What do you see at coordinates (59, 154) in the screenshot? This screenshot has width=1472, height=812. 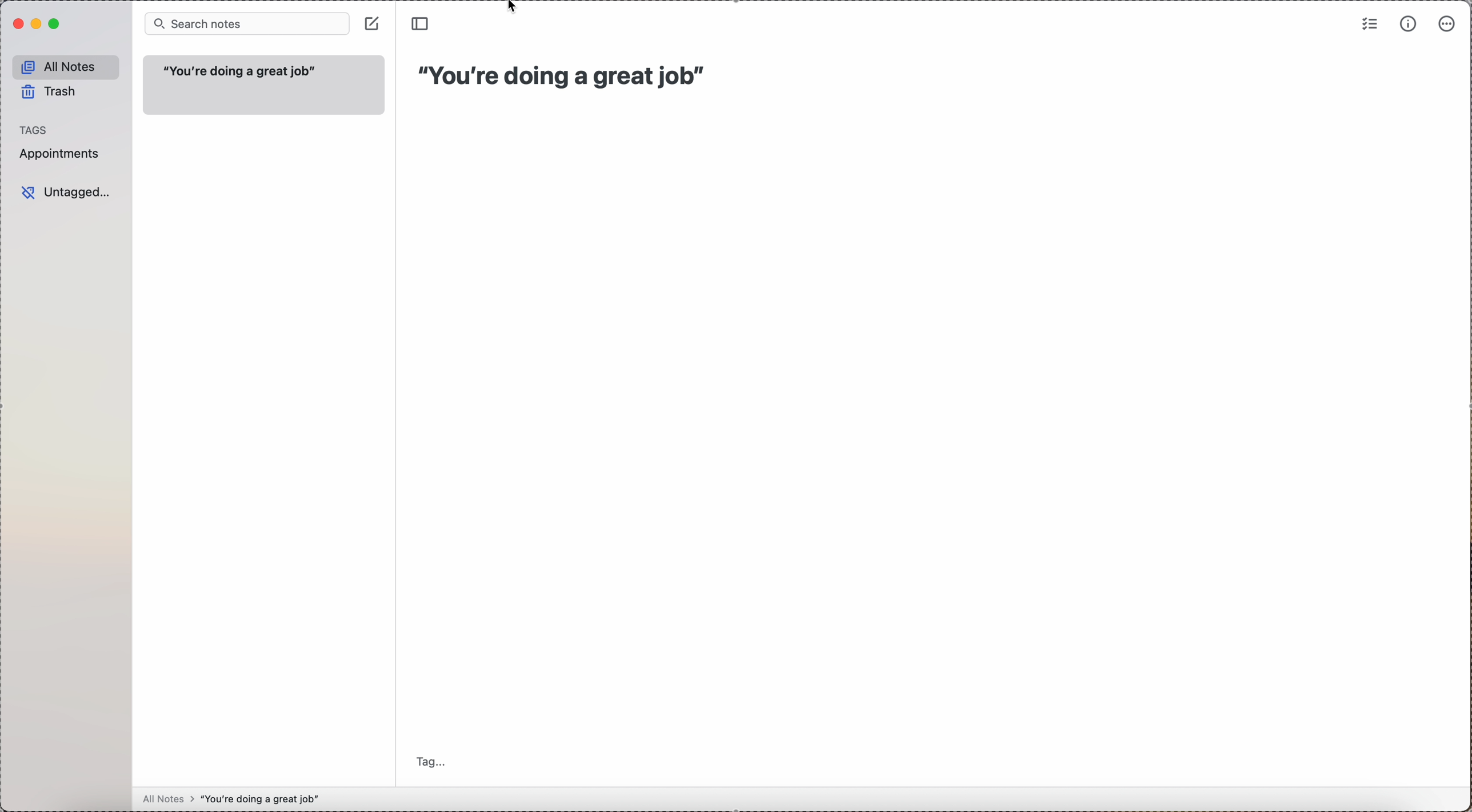 I see `appointments` at bounding box center [59, 154].